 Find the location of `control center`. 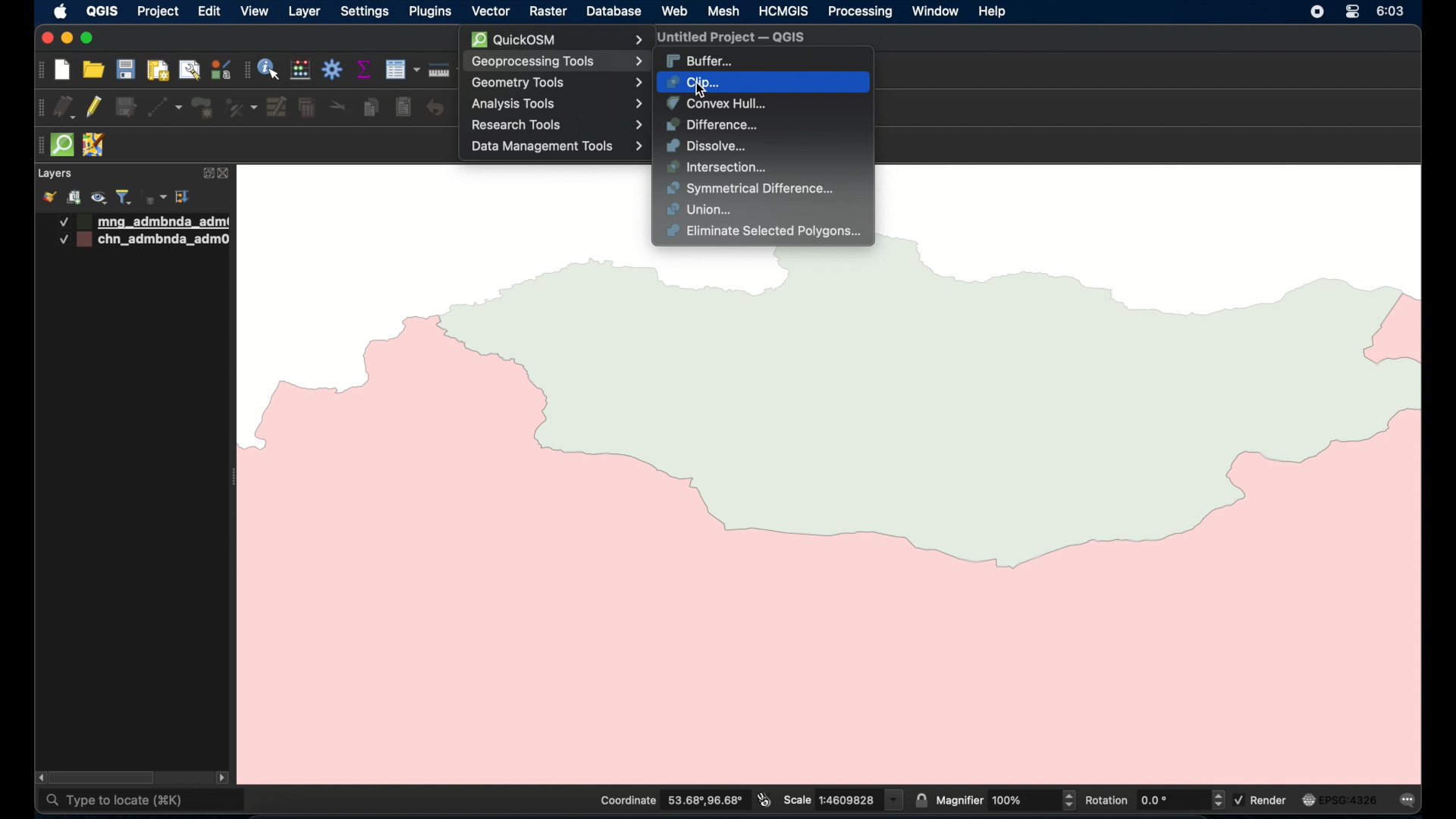

control center is located at coordinates (1352, 11).